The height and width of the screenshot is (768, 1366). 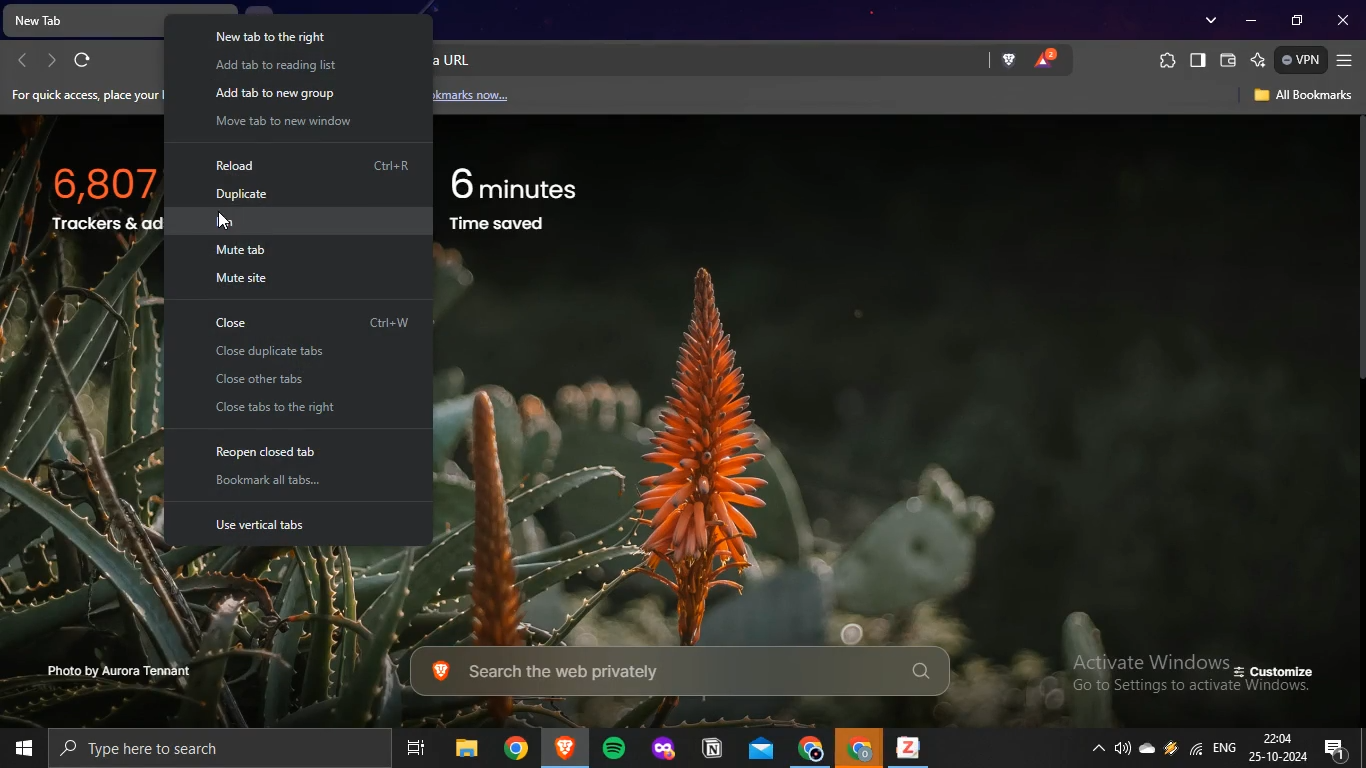 What do you see at coordinates (614, 748) in the screenshot?
I see `spotify` at bounding box center [614, 748].